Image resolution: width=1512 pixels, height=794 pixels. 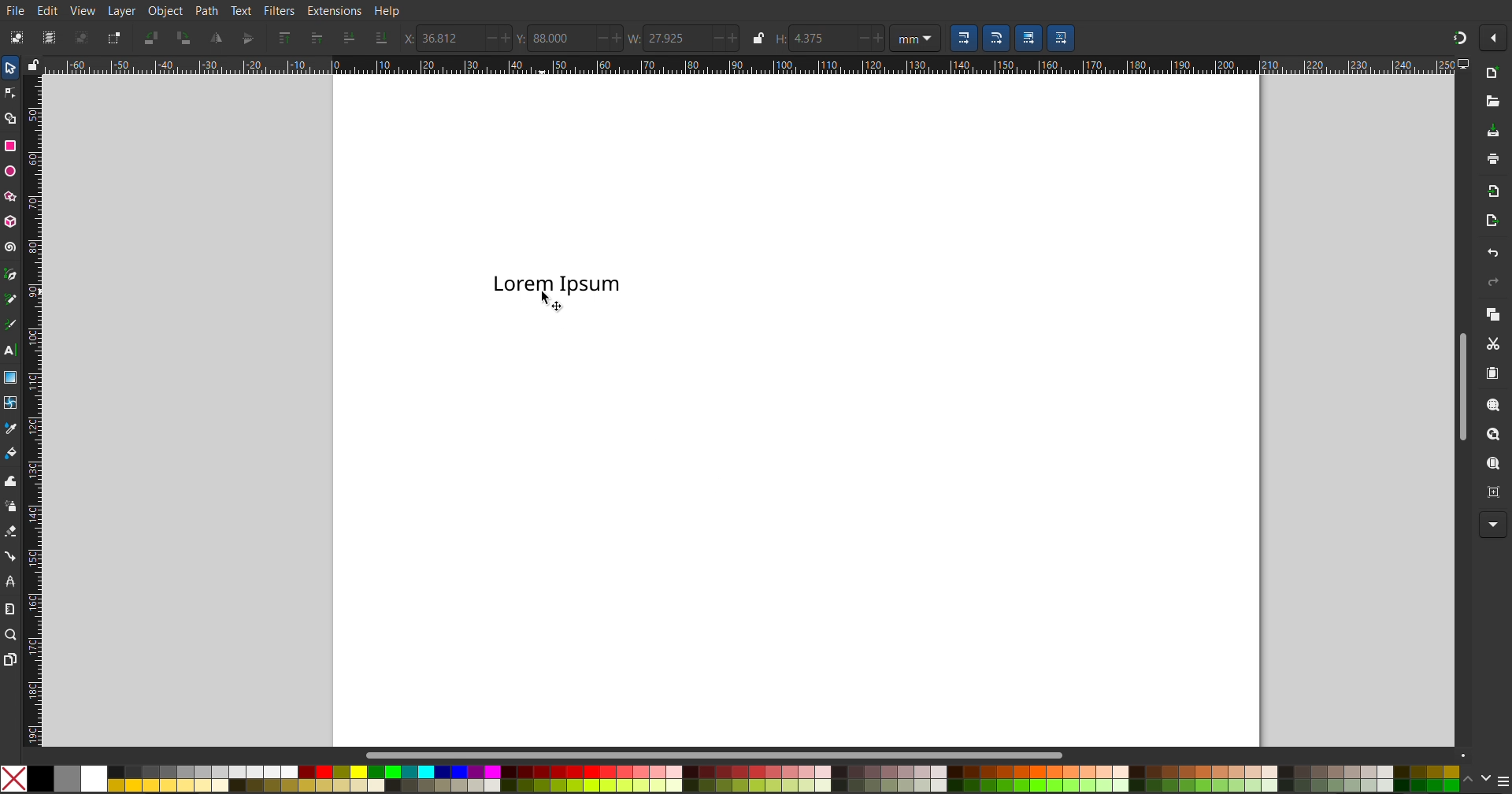 What do you see at coordinates (11, 531) in the screenshot?
I see `Eraser Tool` at bounding box center [11, 531].